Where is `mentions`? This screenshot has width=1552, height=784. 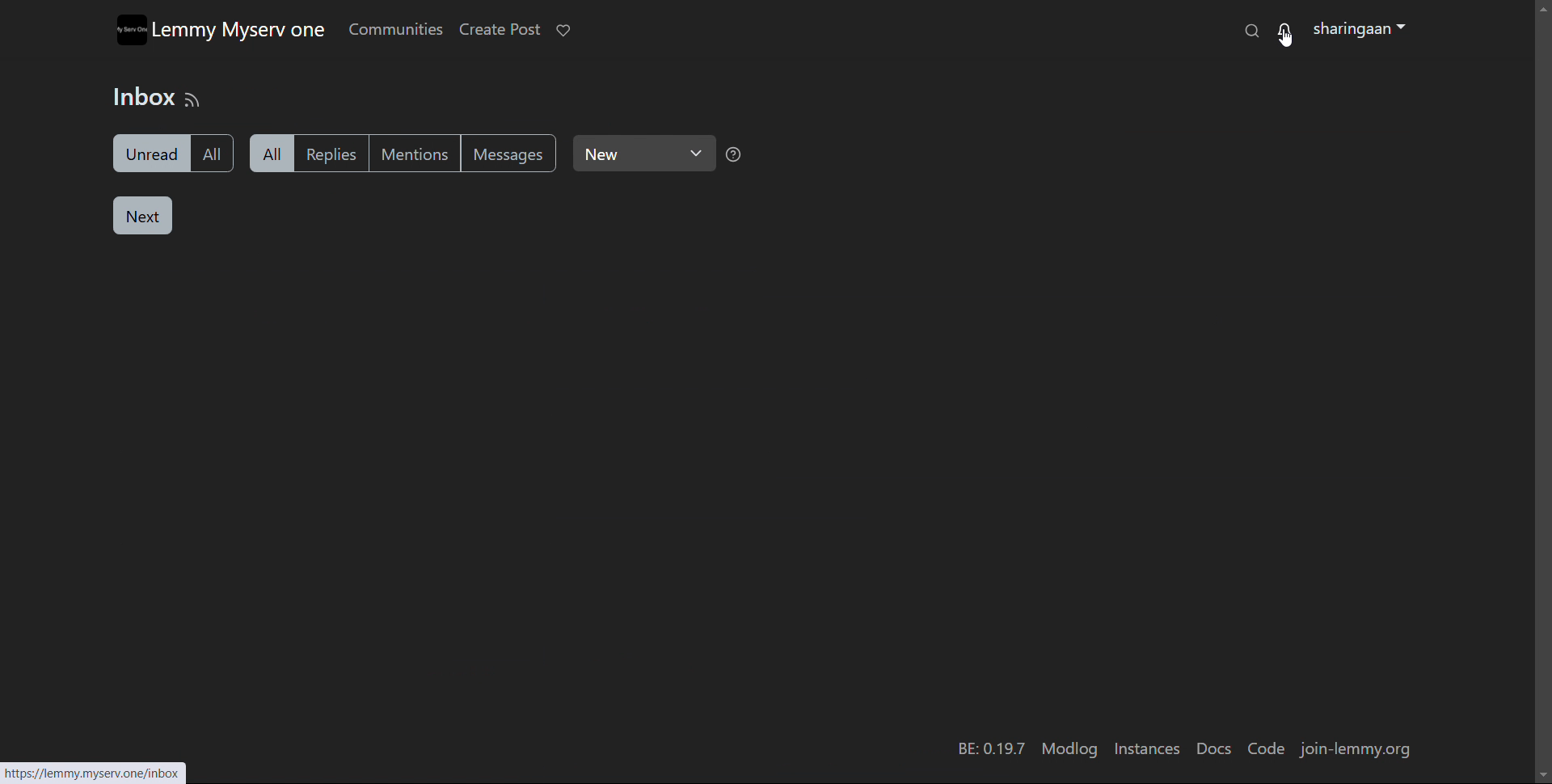
mentions is located at coordinates (420, 154).